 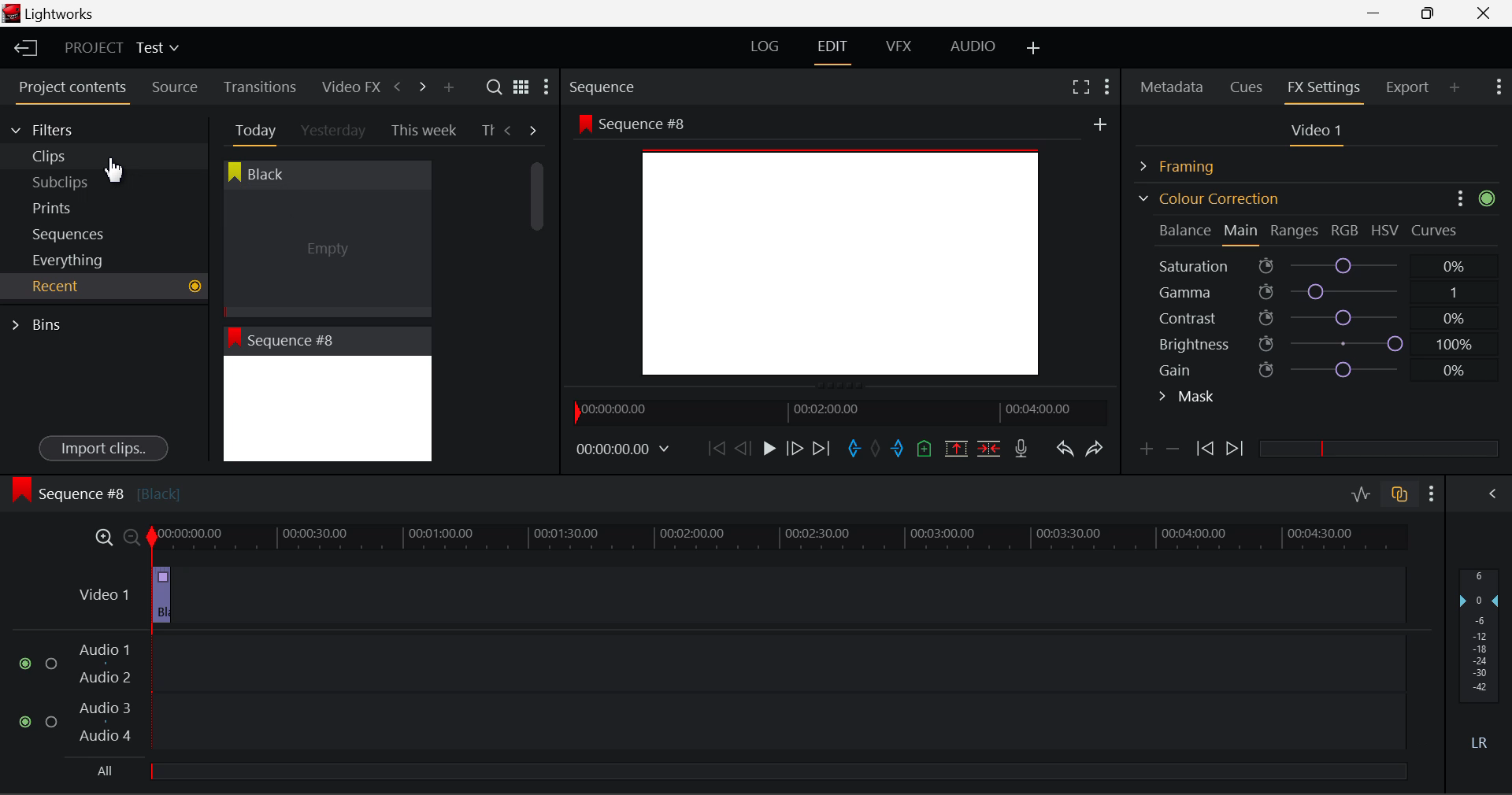 What do you see at coordinates (325, 238) in the screenshot?
I see `Cursor MOUSE_DOWN on Black Clip` at bounding box center [325, 238].